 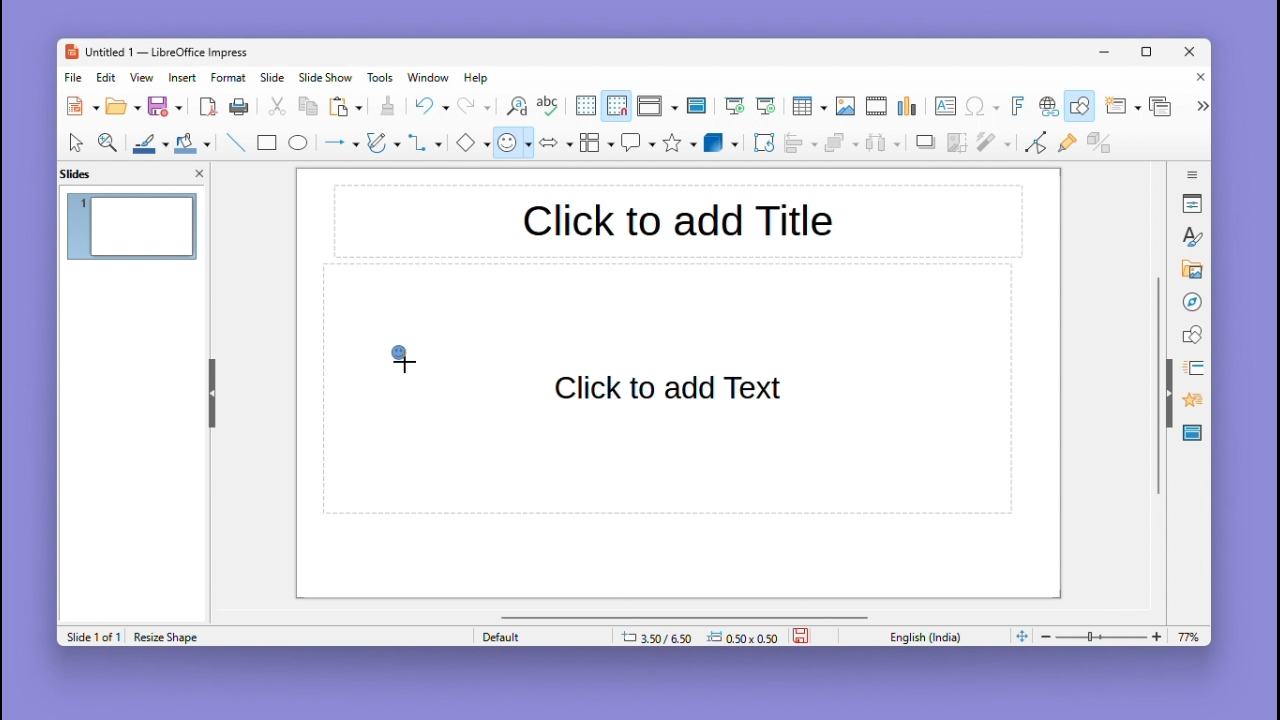 What do you see at coordinates (208, 108) in the screenshot?
I see `Export as PDF` at bounding box center [208, 108].